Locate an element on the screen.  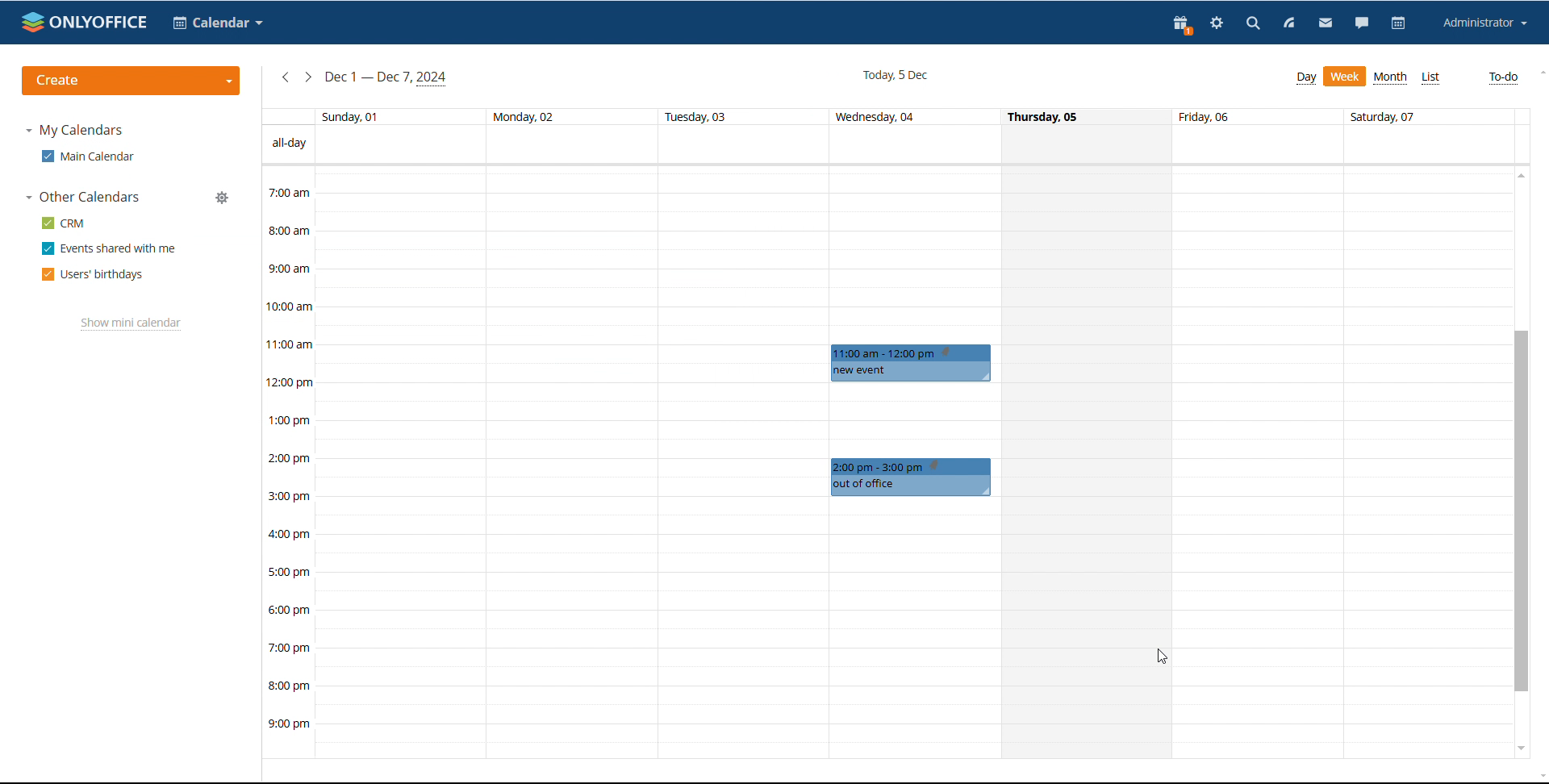
settings is located at coordinates (1215, 25).